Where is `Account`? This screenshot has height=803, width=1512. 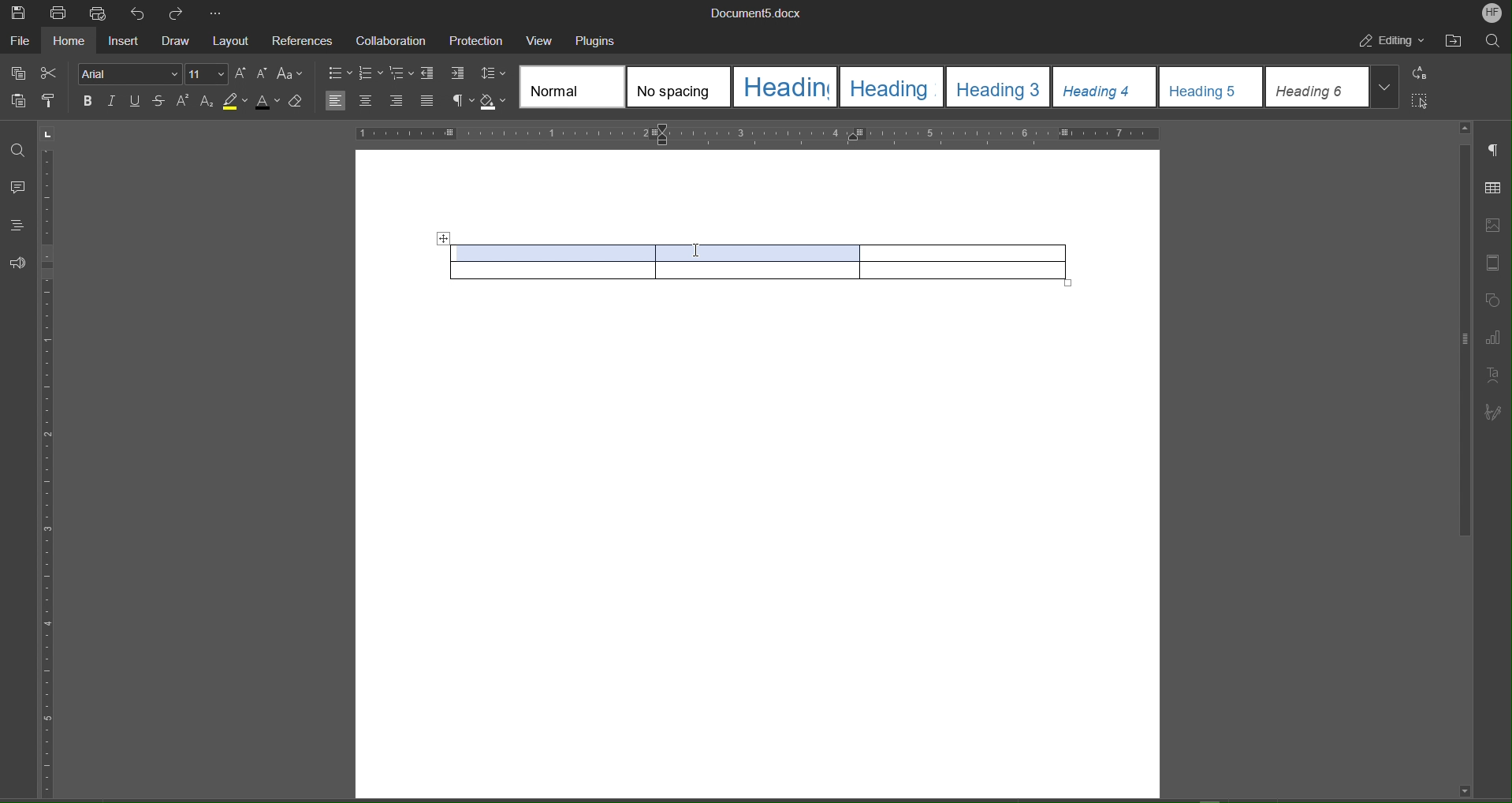 Account is located at coordinates (1490, 13).